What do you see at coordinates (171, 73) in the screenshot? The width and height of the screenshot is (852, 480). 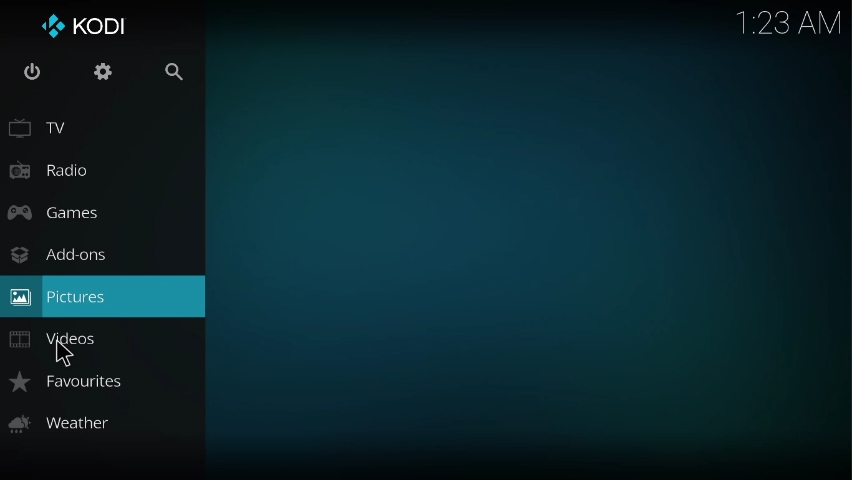 I see `search` at bounding box center [171, 73].